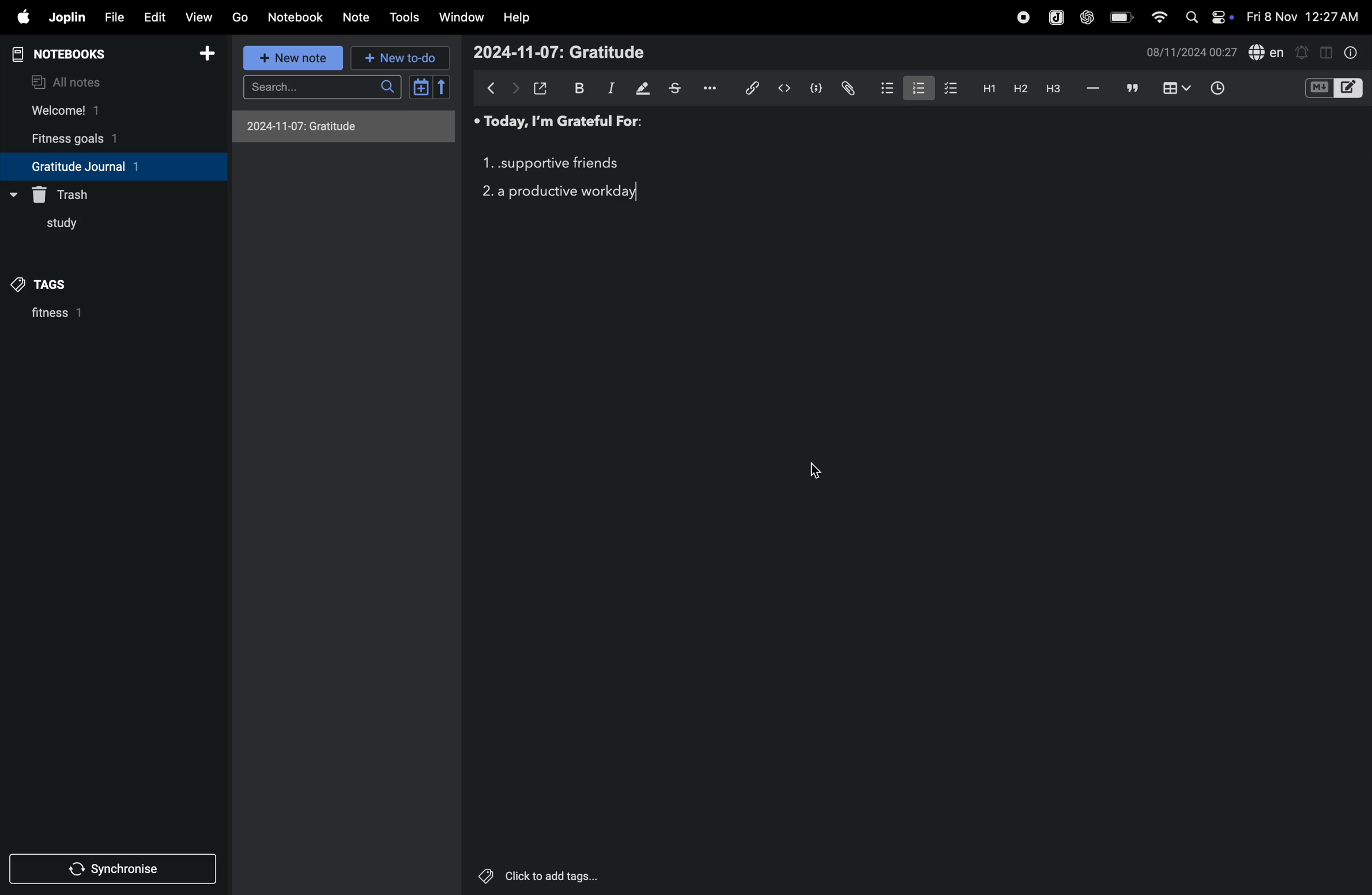 The width and height of the screenshot is (1372, 895). What do you see at coordinates (296, 17) in the screenshot?
I see `notebook` at bounding box center [296, 17].